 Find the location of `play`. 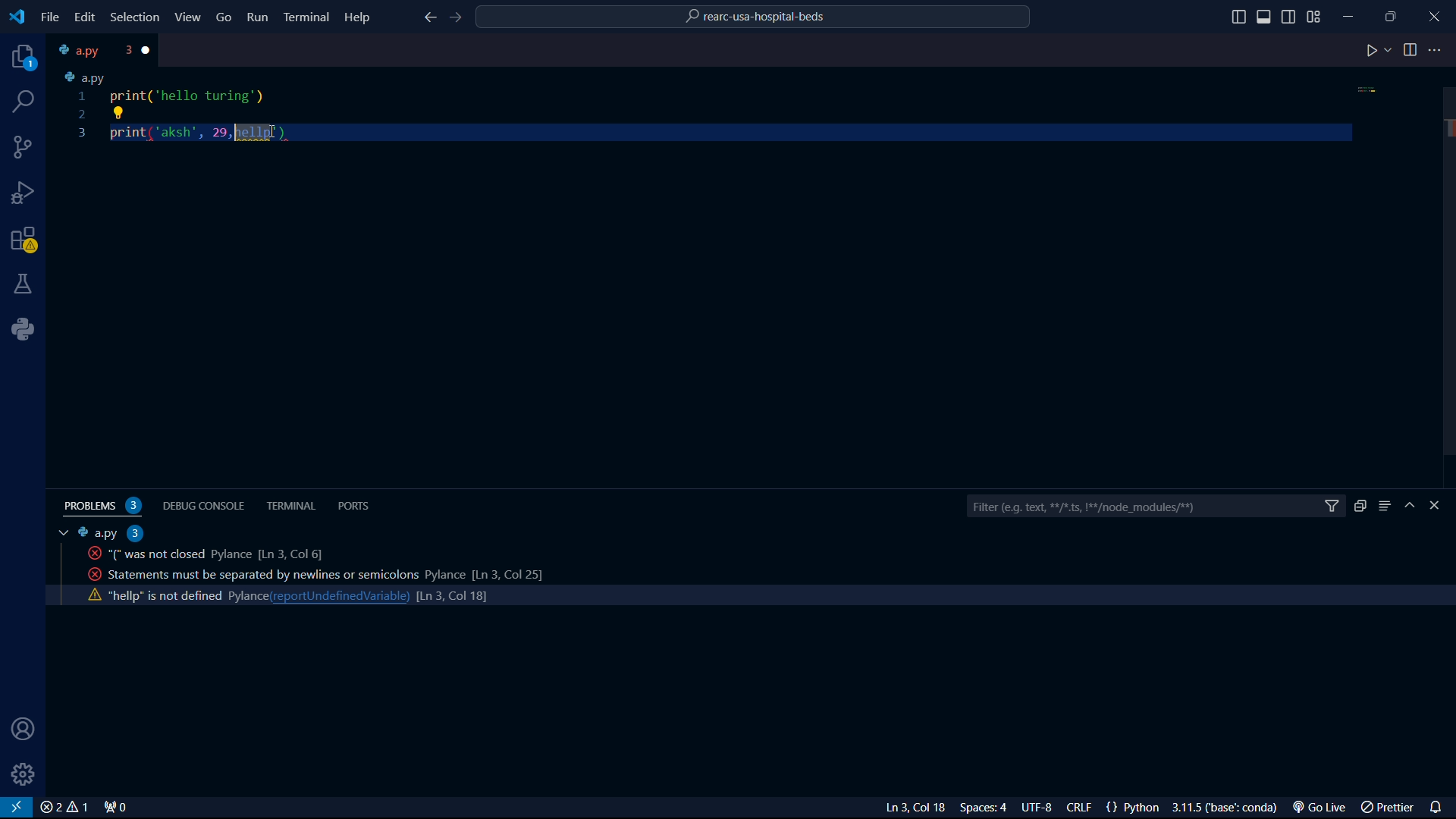

play is located at coordinates (1378, 52).